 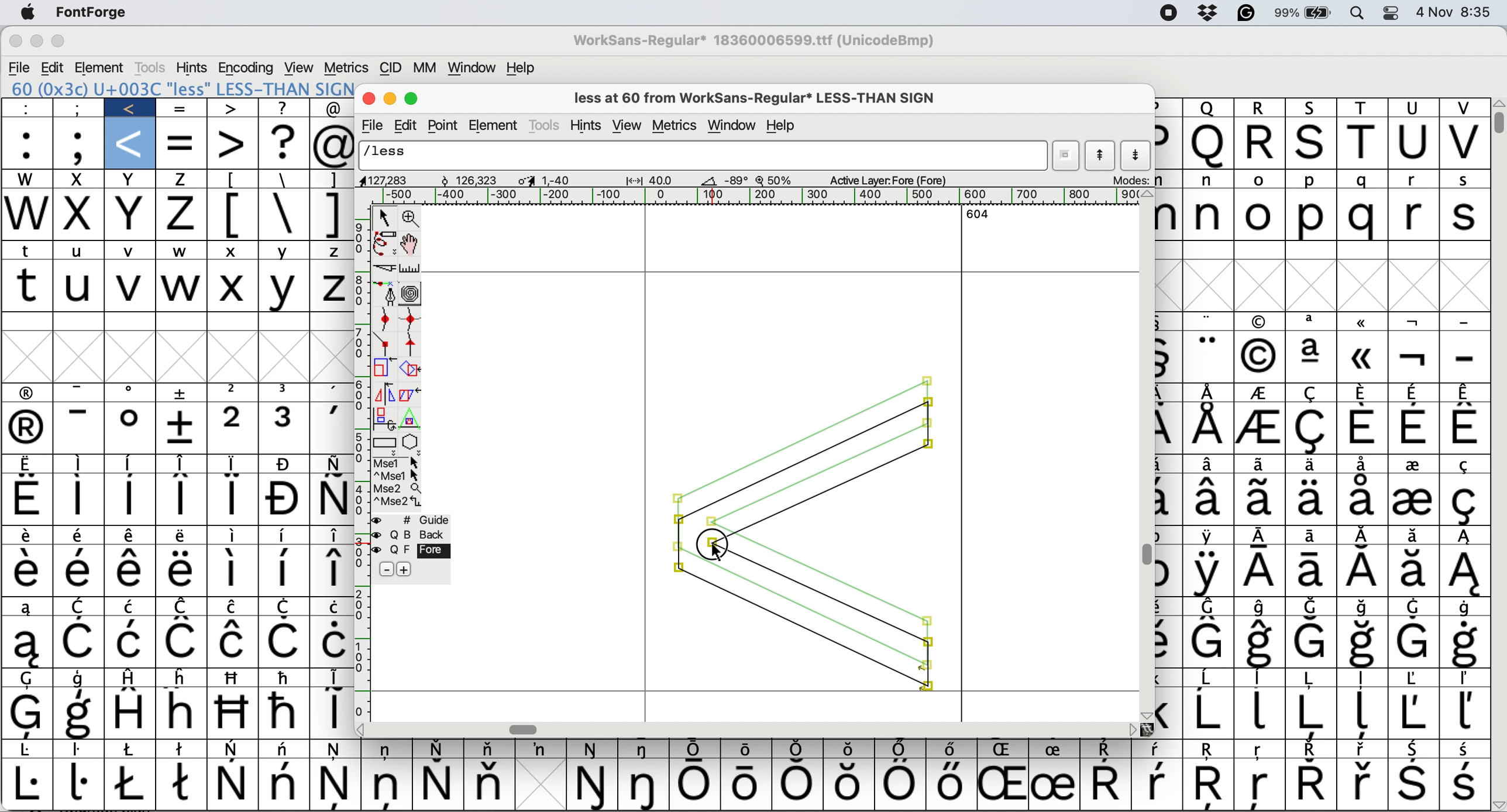 What do you see at coordinates (1457, 13) in the screenshot?
I see `4 Nov 8:35` at bounding box center [1457, 13].